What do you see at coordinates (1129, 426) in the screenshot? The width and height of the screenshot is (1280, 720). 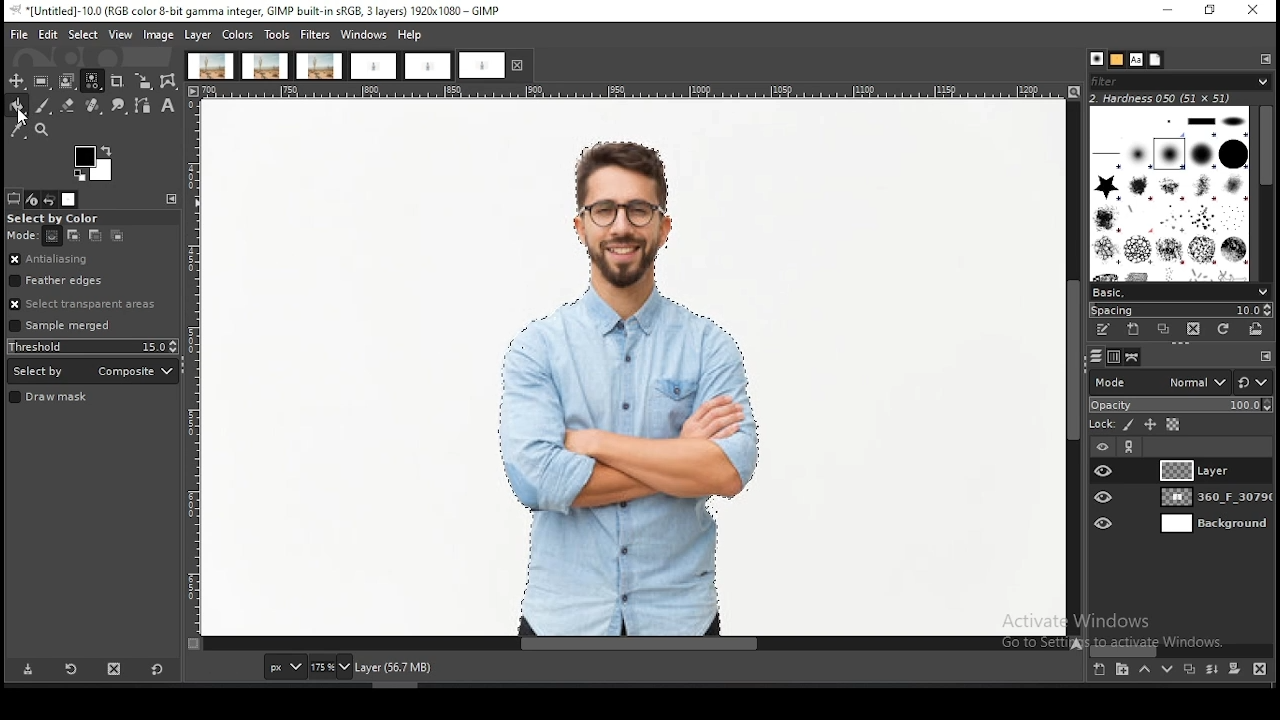 I see `lock pixels` at bounding box center [1129, 426].